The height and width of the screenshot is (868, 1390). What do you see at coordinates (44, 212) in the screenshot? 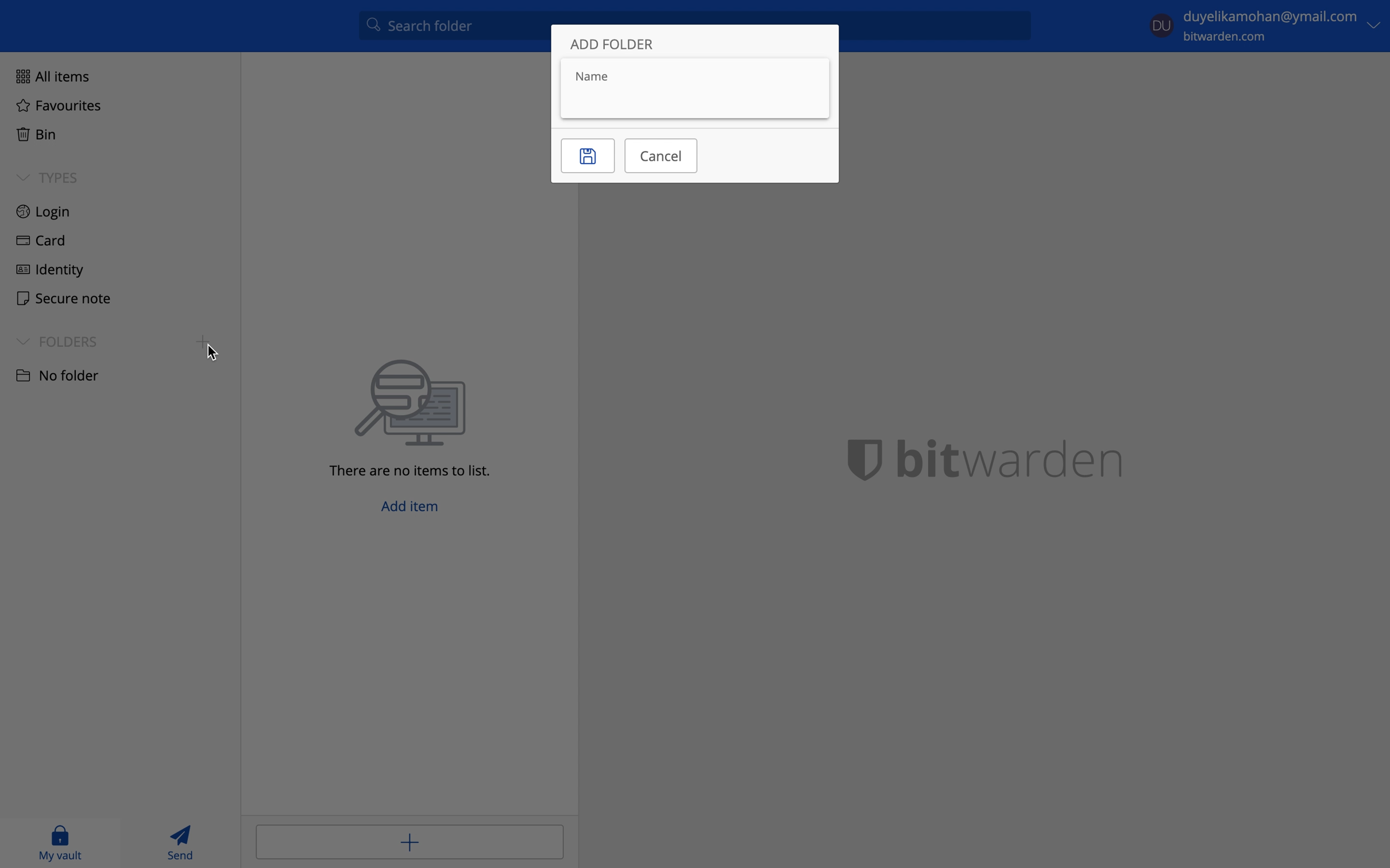
I see `login` at bounding box center [44, 212].